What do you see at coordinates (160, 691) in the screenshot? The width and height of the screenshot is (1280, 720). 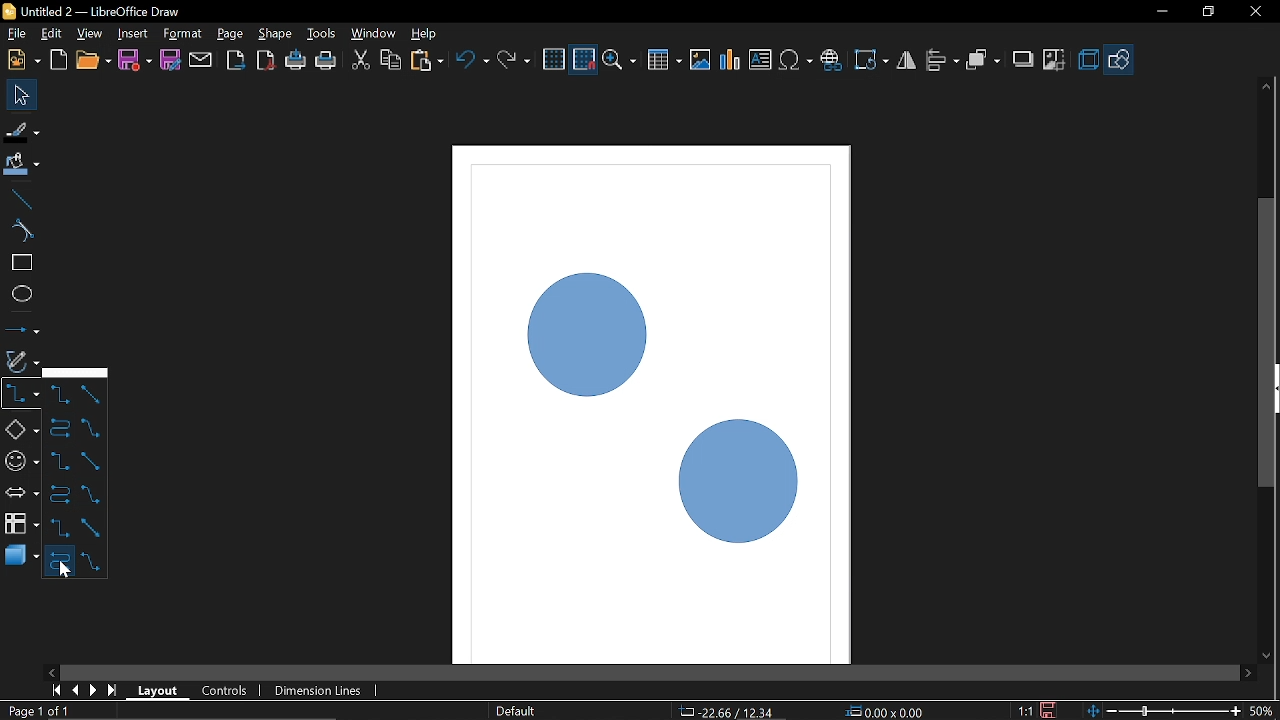 I see `Layout` at bounding box center [160, 691].